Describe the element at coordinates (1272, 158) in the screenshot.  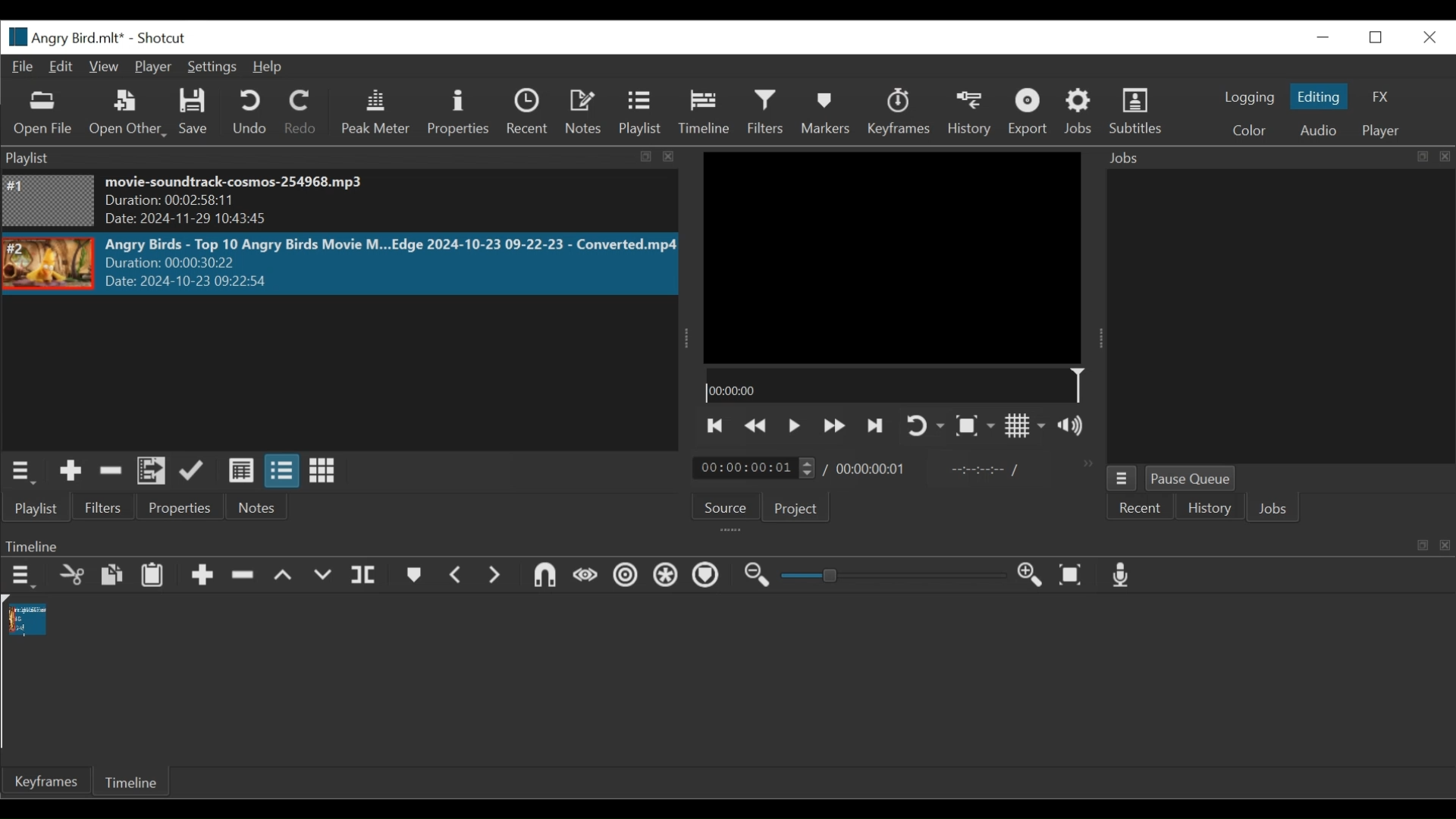
I see `Jobs Panel` at that location.